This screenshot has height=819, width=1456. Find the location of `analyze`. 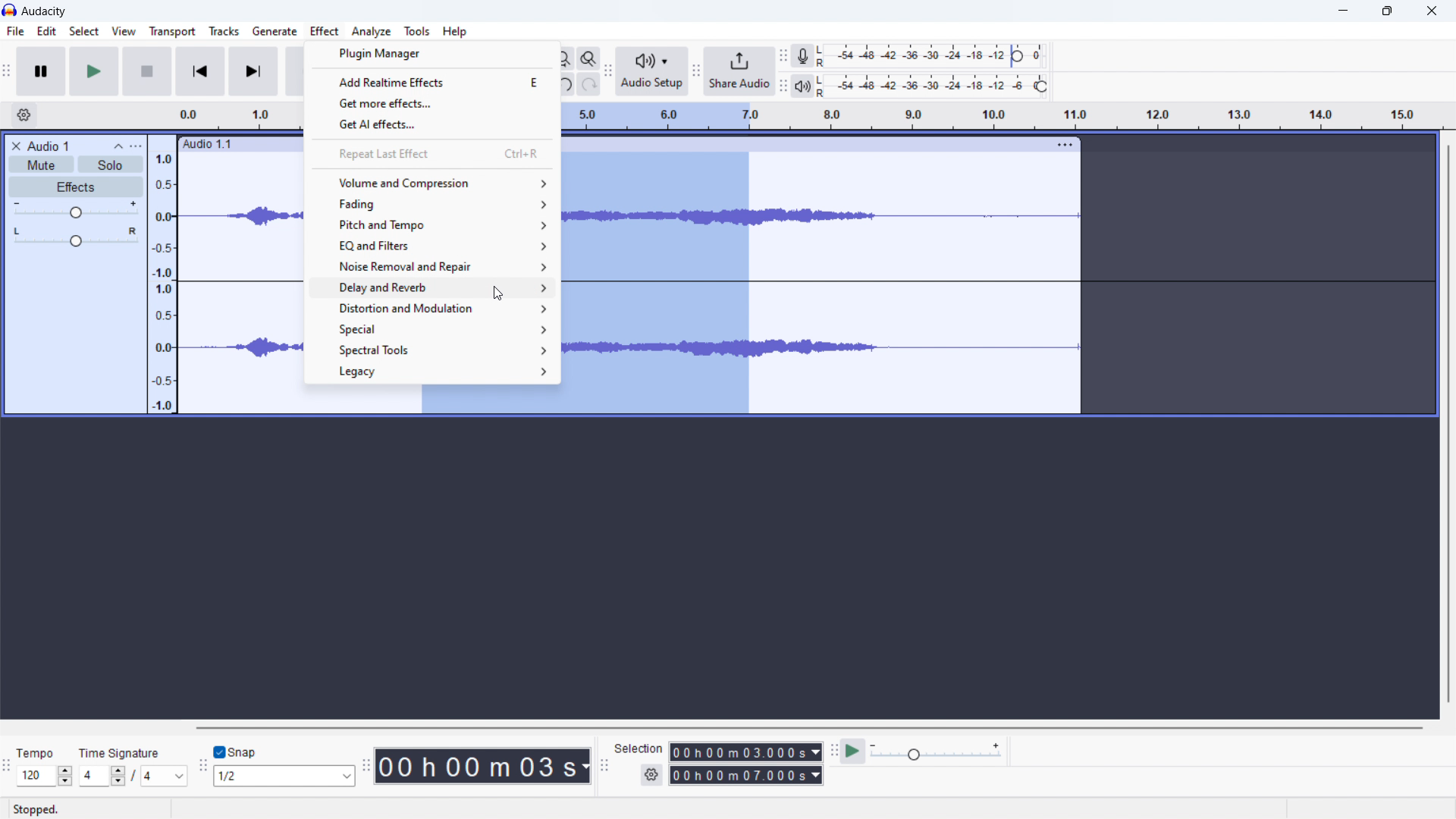

analyze is located at coordinates (372, 31).